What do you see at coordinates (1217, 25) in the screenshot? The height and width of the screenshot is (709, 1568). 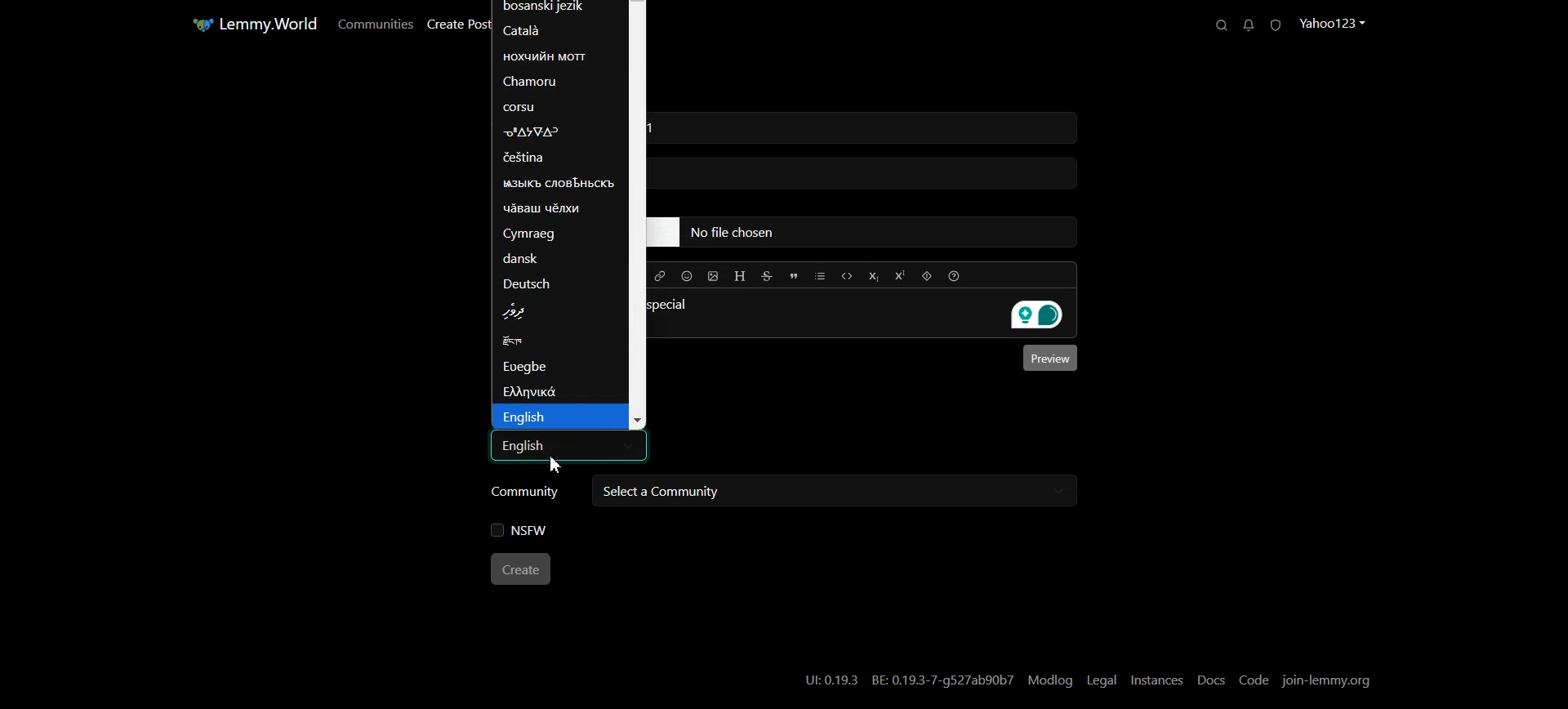 I see `Search` at bounding box center [1217, 25].